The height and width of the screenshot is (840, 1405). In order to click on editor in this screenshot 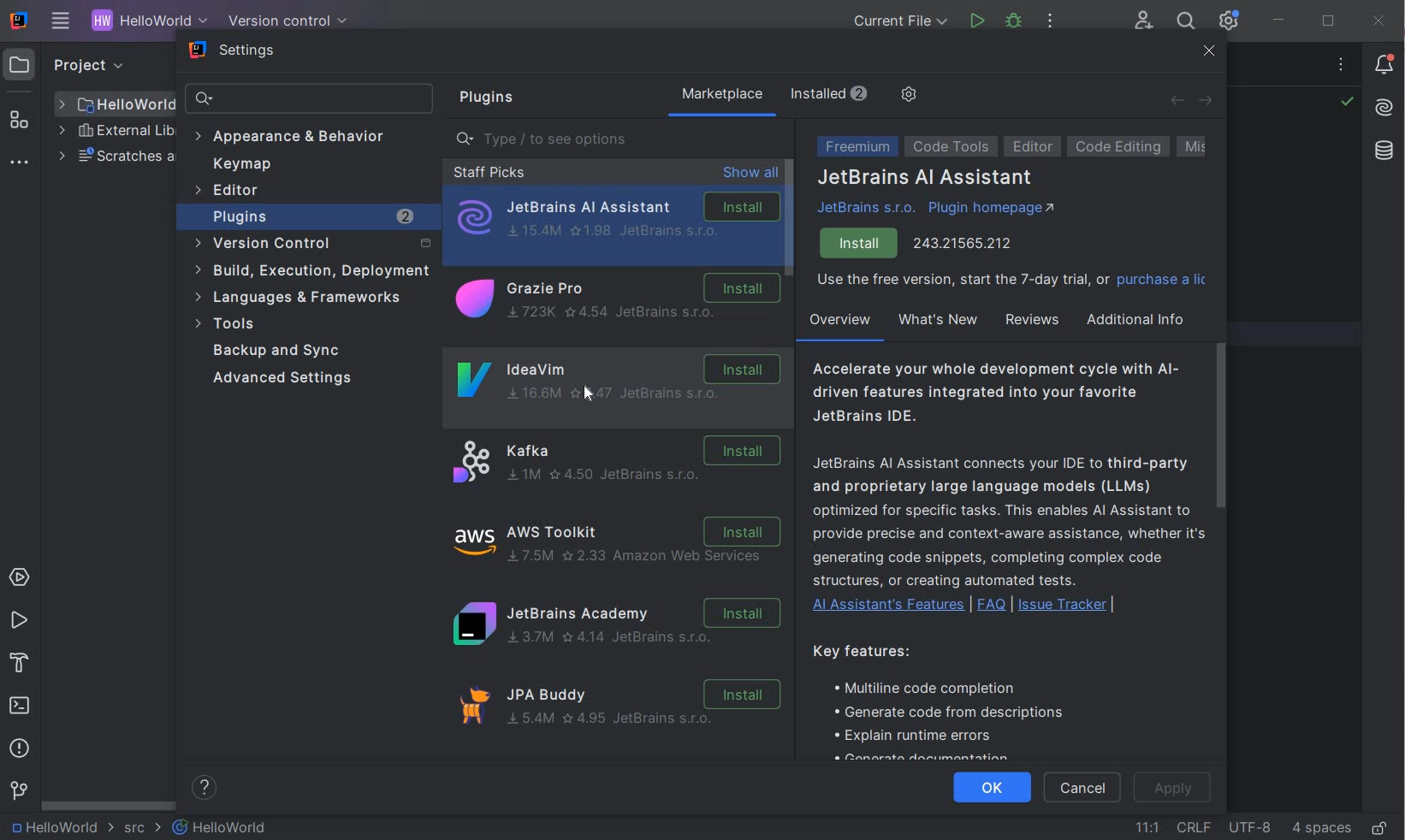, I will do `click(230, 192)`.